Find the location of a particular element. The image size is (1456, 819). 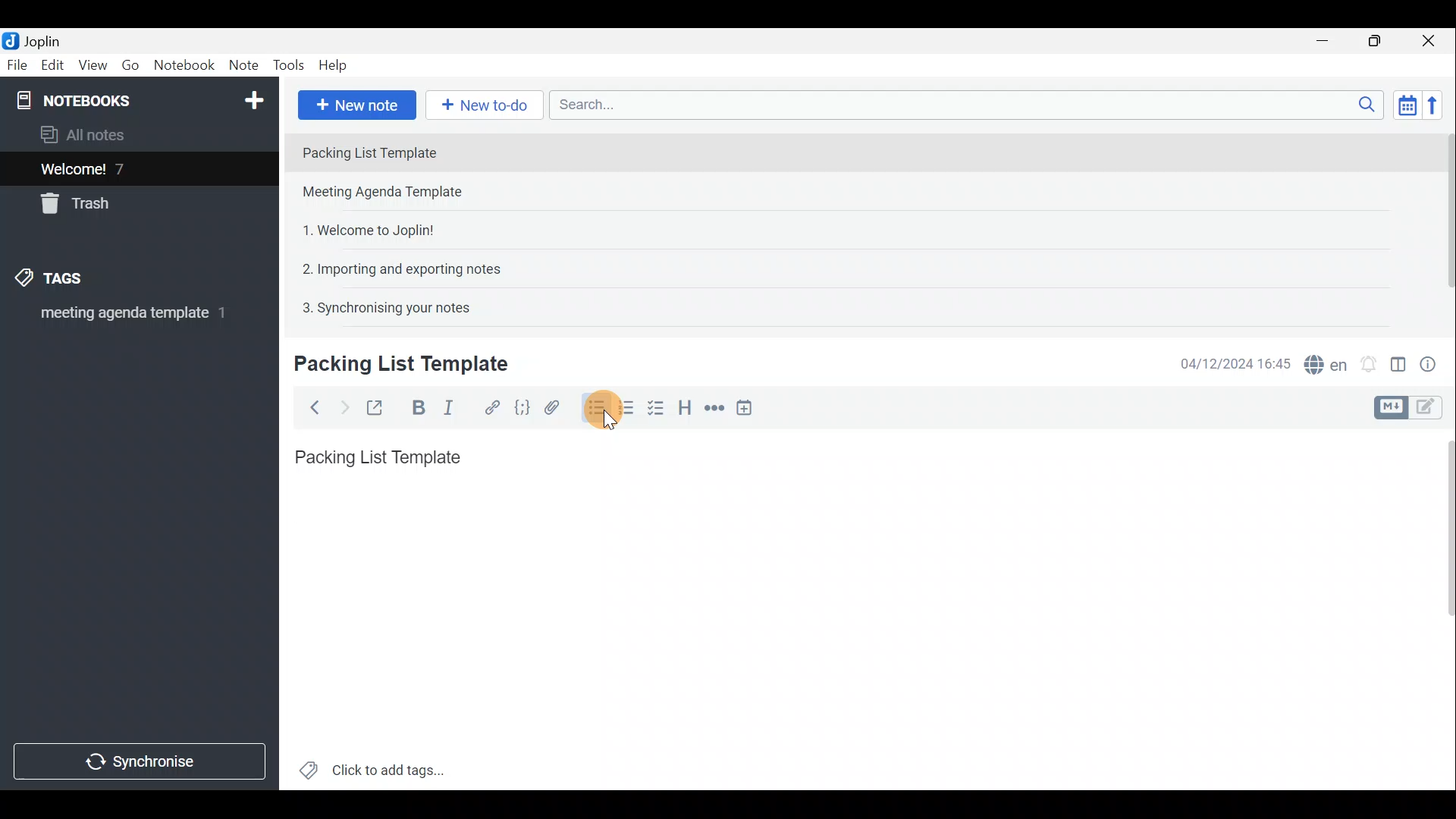

File is located at coordinates (15, 64).